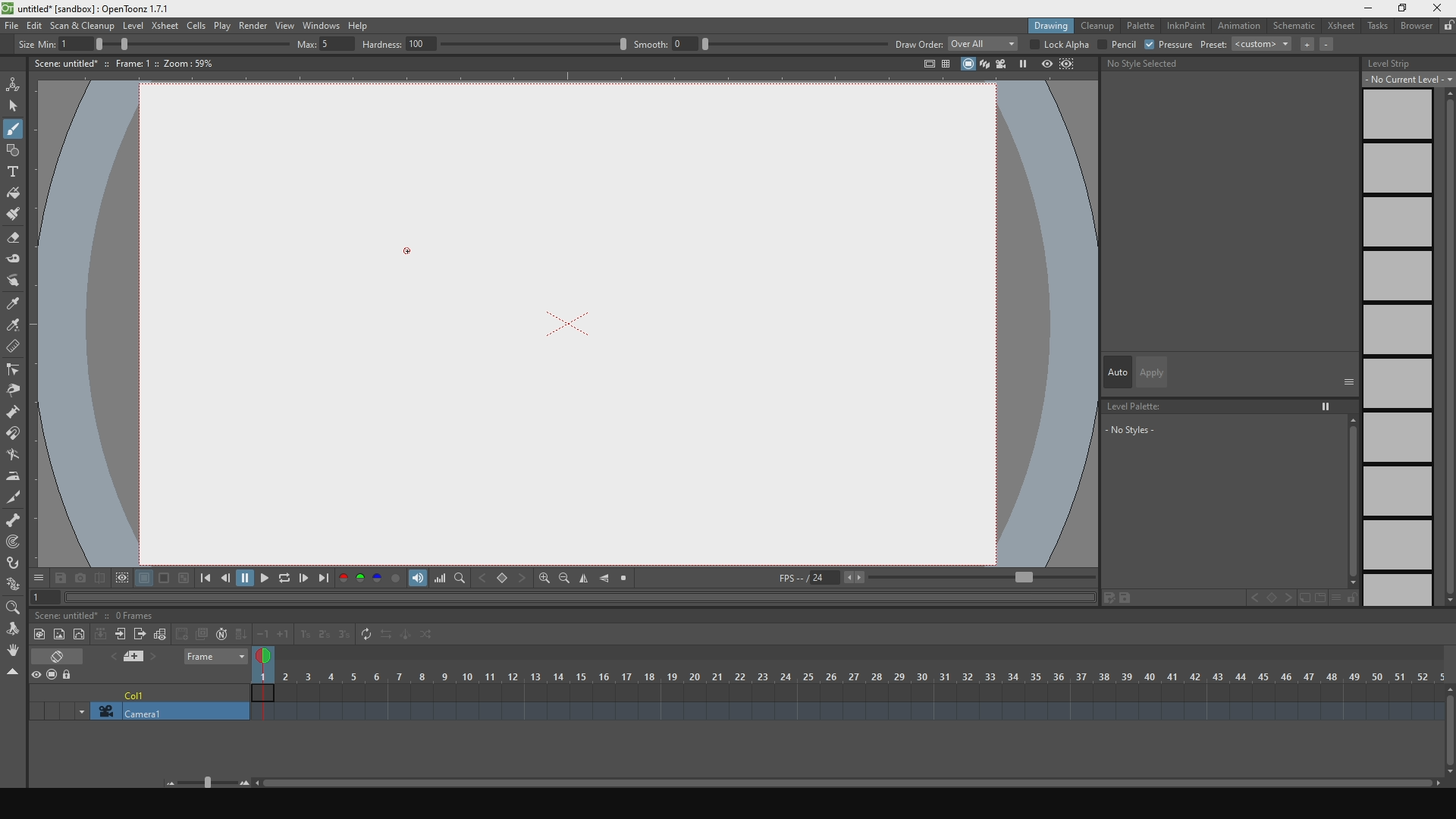  I want to click on define region, so click(1077, 65).